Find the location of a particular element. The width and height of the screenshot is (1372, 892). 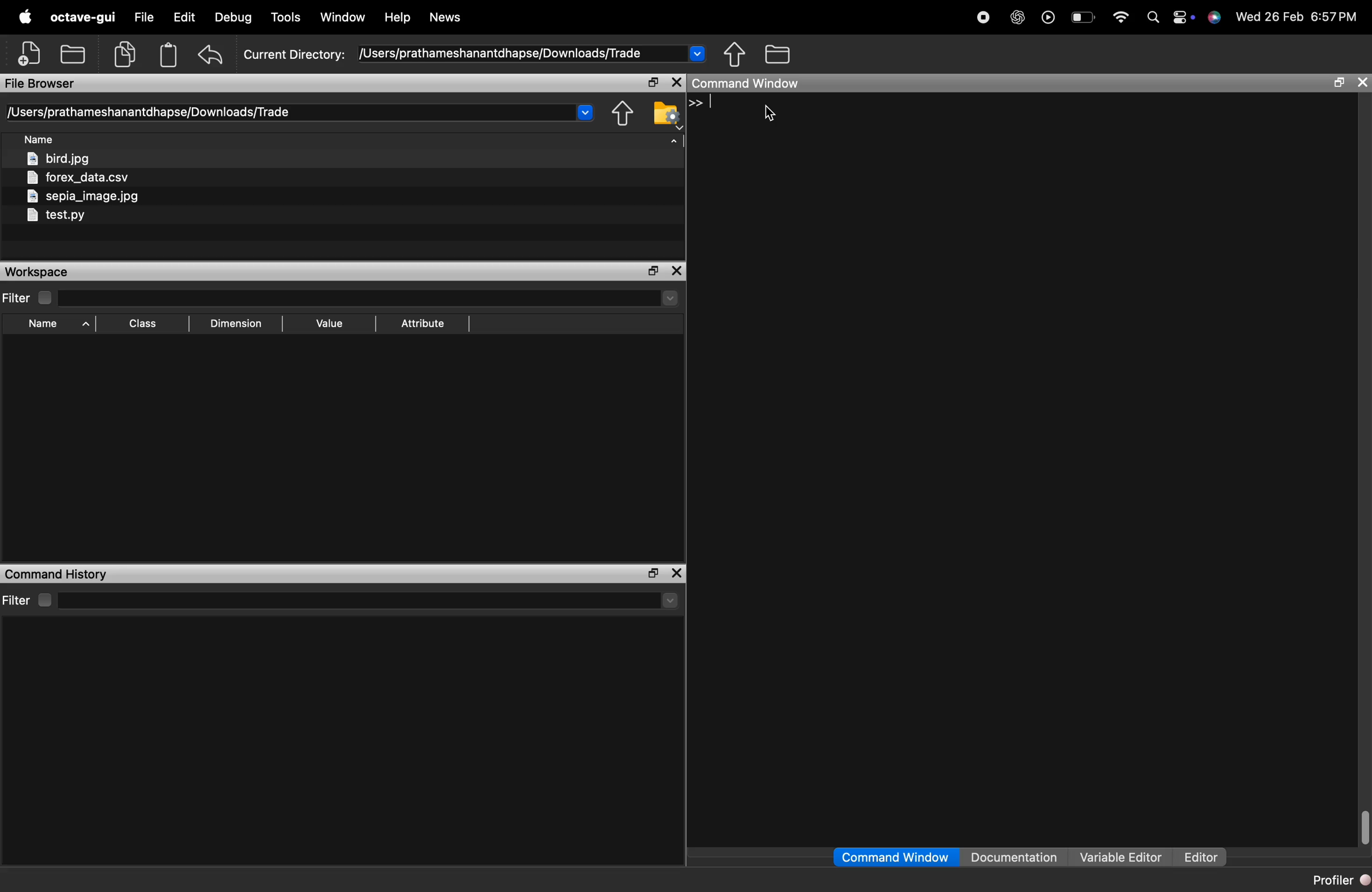

one directory up is located at coordinates (625, 116).